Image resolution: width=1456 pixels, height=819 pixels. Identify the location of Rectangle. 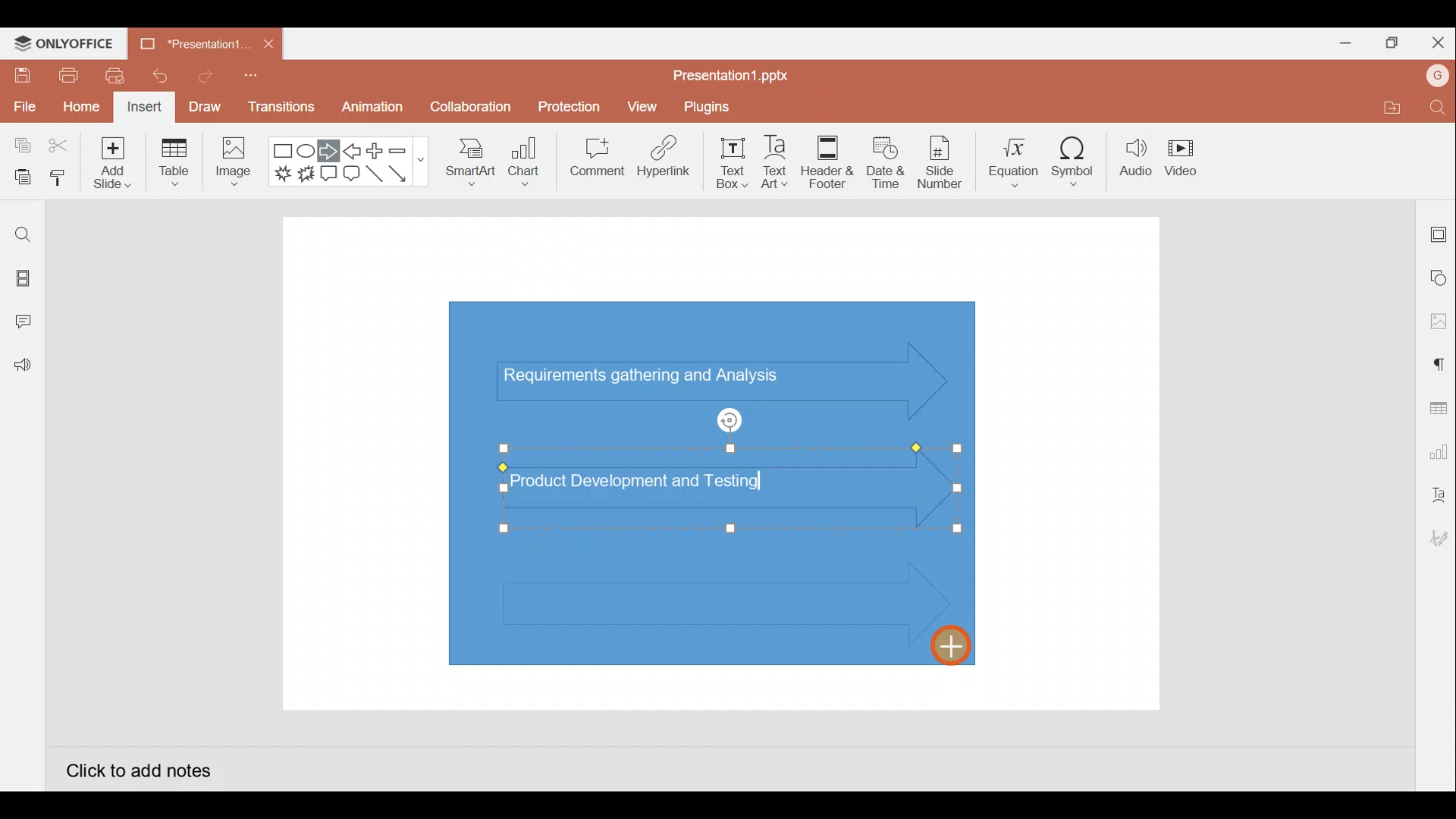
(284, 152).